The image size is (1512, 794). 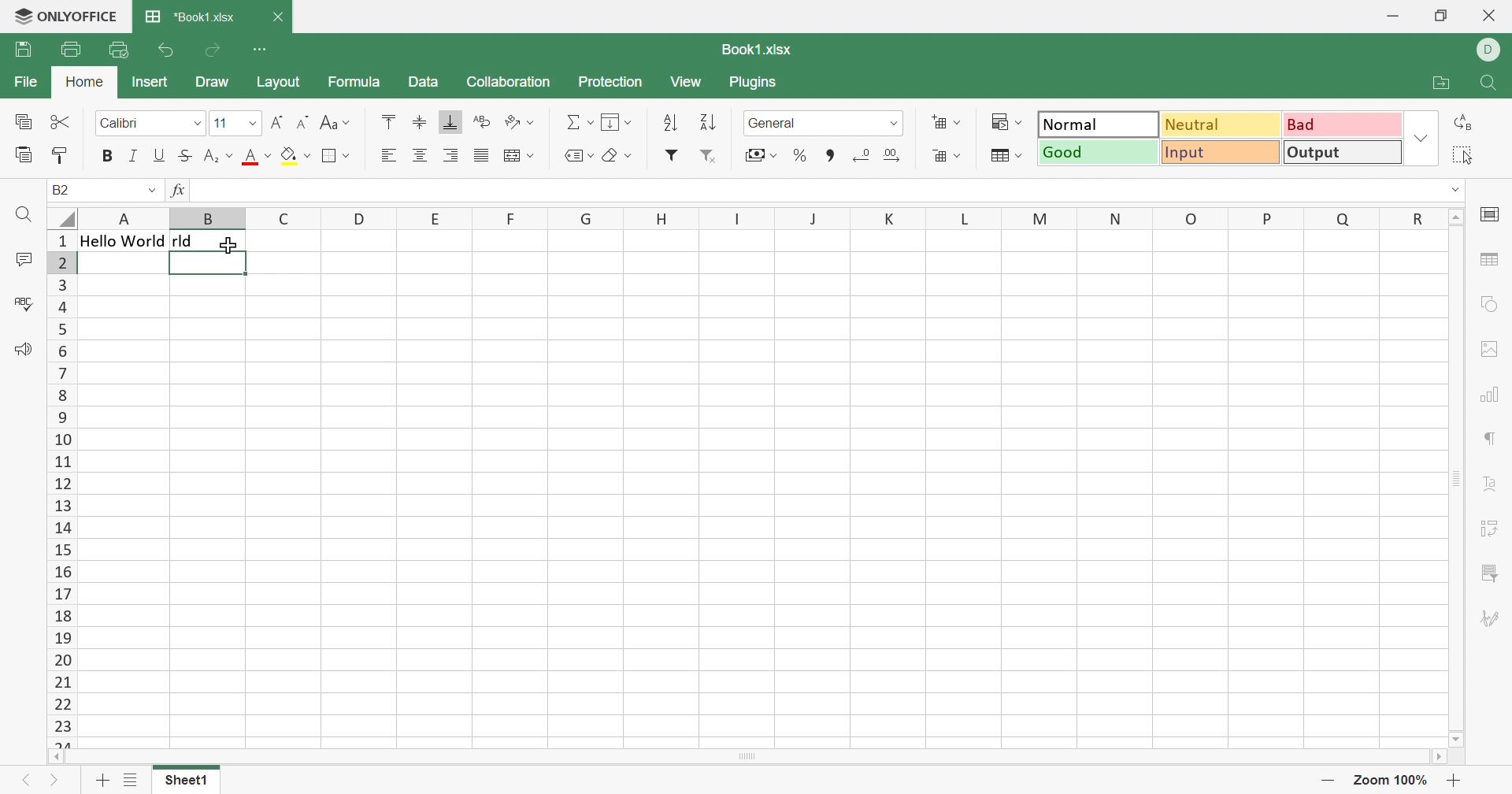 I want to click on *Book1.xlsx, so click(x=191, y=17).